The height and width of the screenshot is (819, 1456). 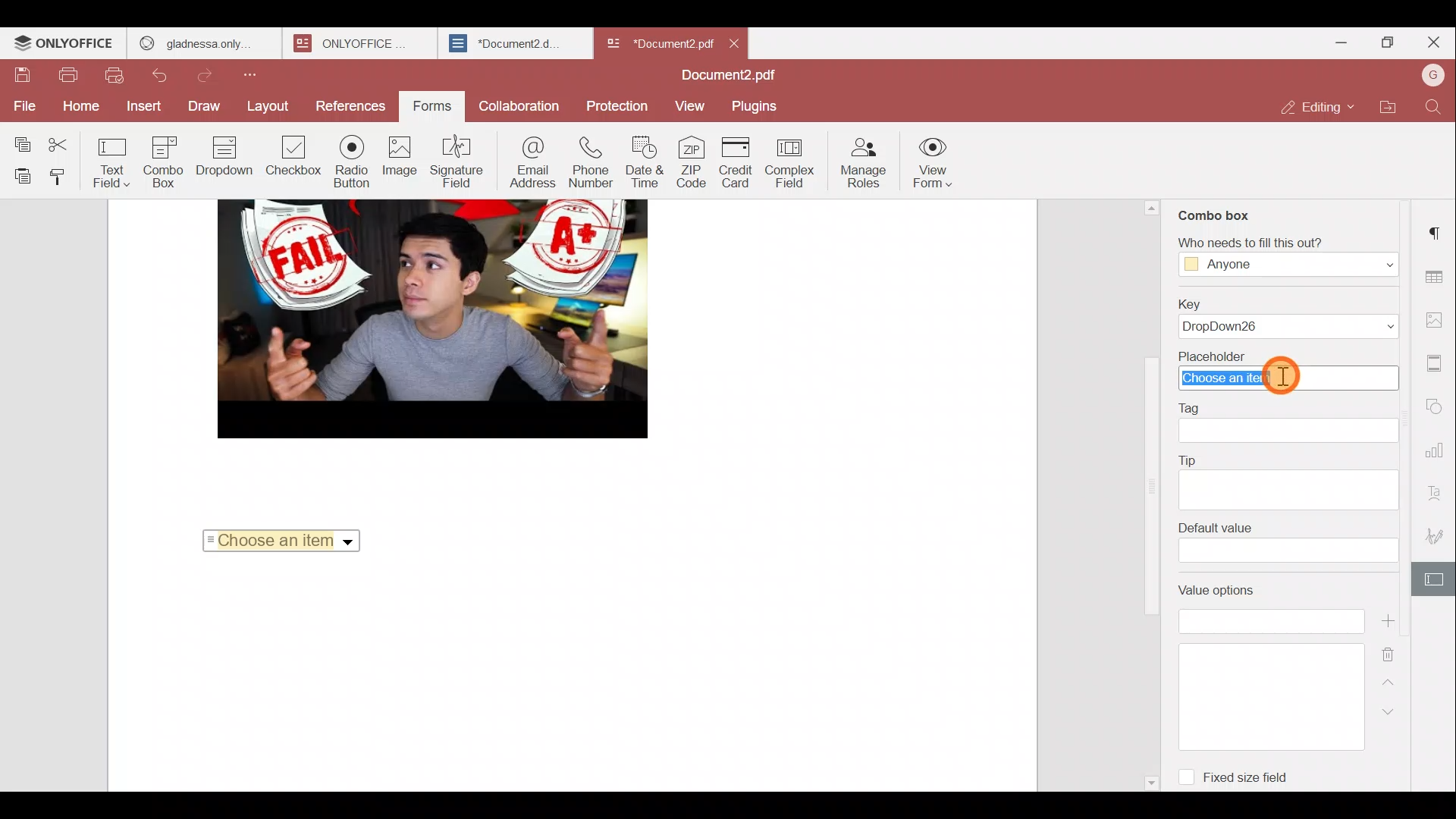 I want to click on Tag, so click(x=1291, y=422).